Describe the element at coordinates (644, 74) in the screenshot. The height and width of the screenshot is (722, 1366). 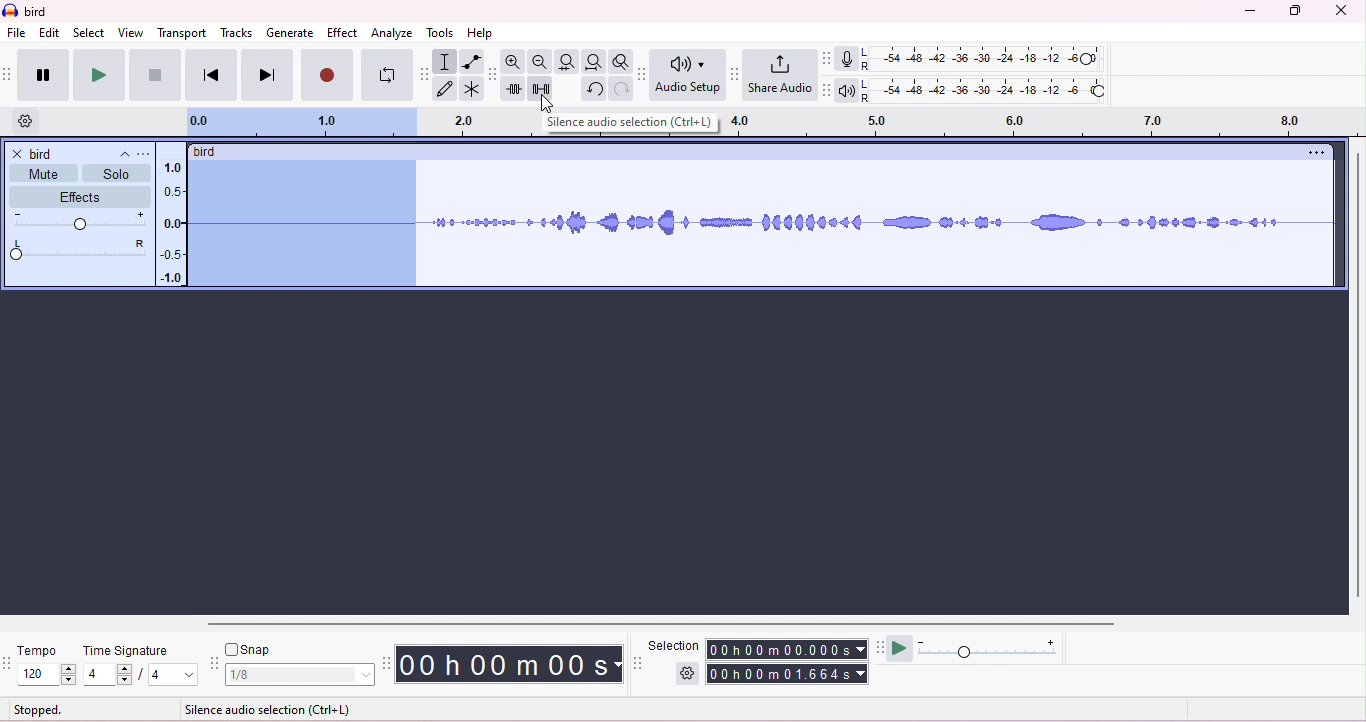
I see `audio set up tool bar` at that location.